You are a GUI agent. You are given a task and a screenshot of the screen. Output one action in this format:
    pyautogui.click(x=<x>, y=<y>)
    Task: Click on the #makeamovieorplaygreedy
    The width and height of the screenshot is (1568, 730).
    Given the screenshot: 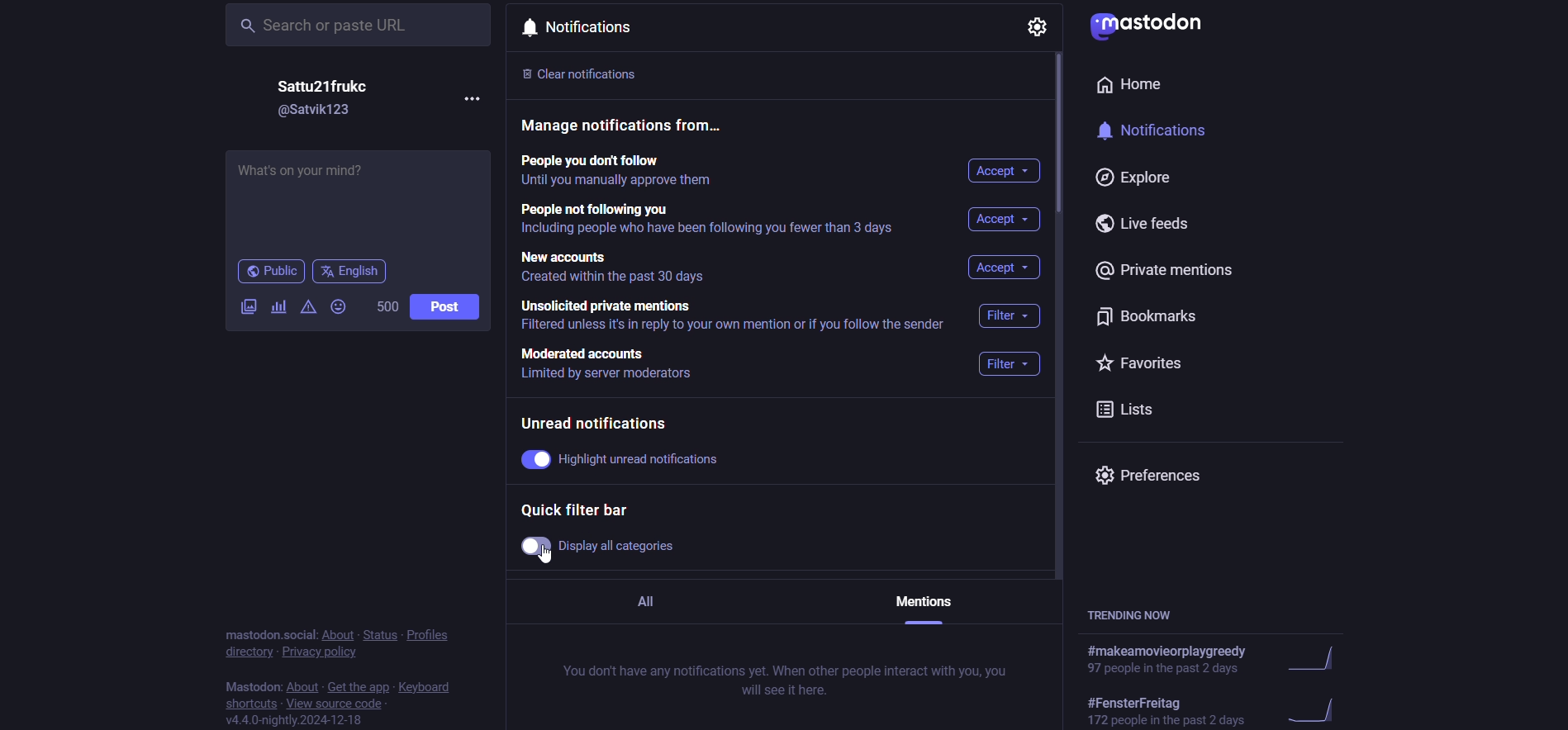 What is the action you would take?
    pyautogui.click(x=1168, y=651)
    